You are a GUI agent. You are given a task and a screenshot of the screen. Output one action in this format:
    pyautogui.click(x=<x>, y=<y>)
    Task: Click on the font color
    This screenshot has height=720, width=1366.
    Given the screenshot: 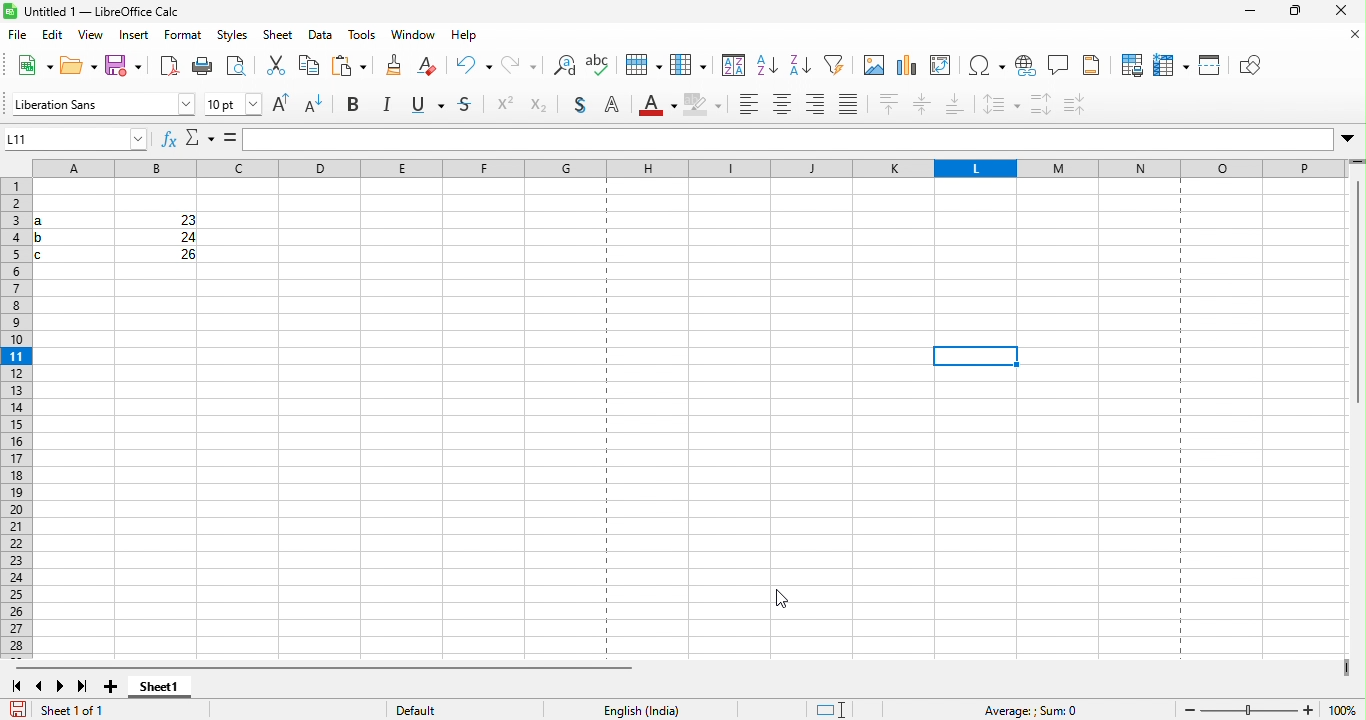 What is the action you would take?
    pyautogui.click(x=660, y=106)
    